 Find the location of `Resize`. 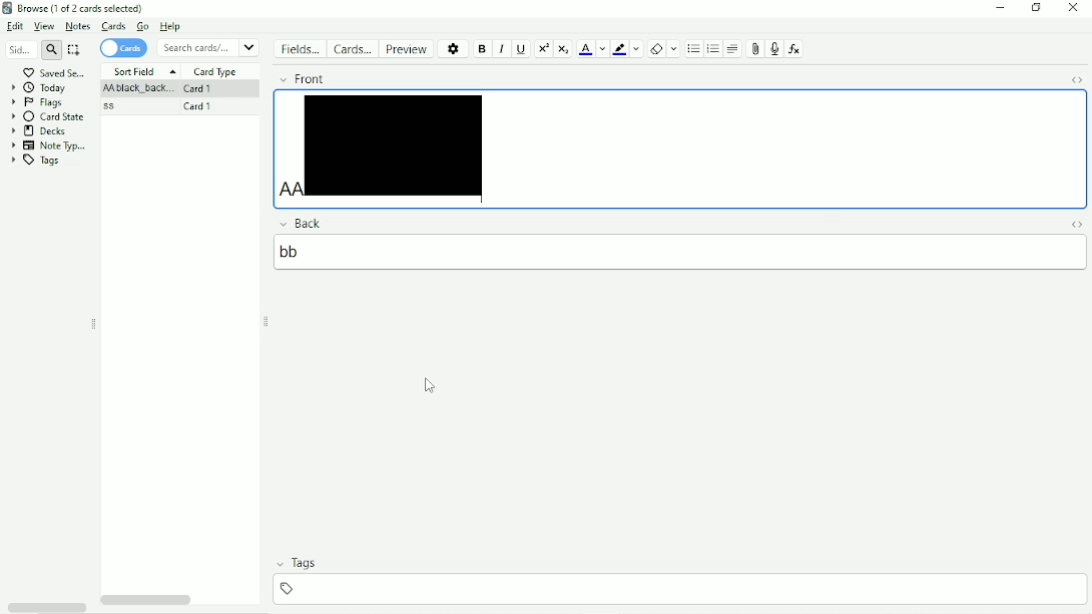

Resize is located at coordinates (269, 324).